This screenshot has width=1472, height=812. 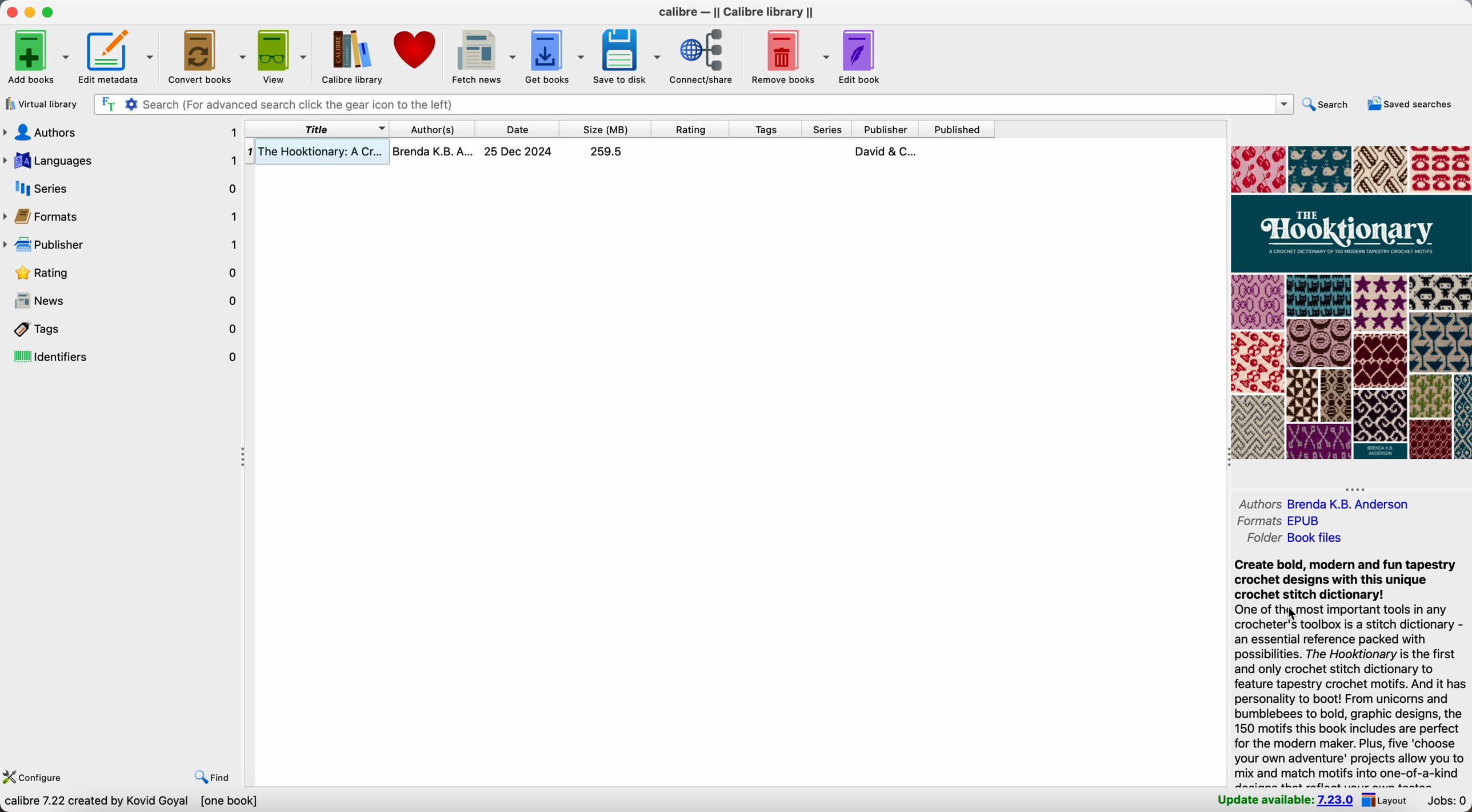 What do you see at coordinates (9, 13) in the screenshot?
I see `close` at bounding box center [9, 13].